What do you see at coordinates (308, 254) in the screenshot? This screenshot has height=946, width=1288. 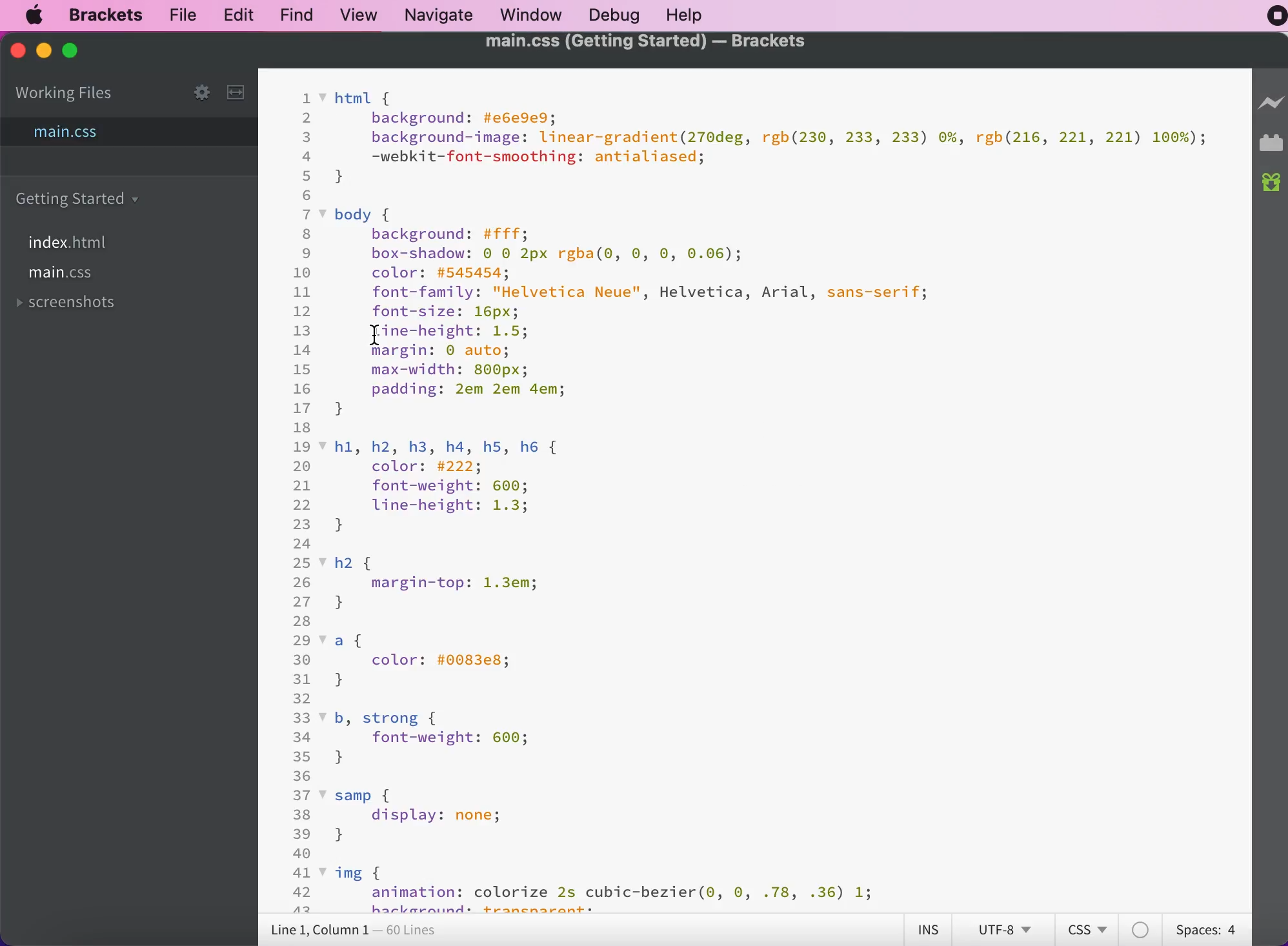 I see `9` at bounding box center [308, 254].